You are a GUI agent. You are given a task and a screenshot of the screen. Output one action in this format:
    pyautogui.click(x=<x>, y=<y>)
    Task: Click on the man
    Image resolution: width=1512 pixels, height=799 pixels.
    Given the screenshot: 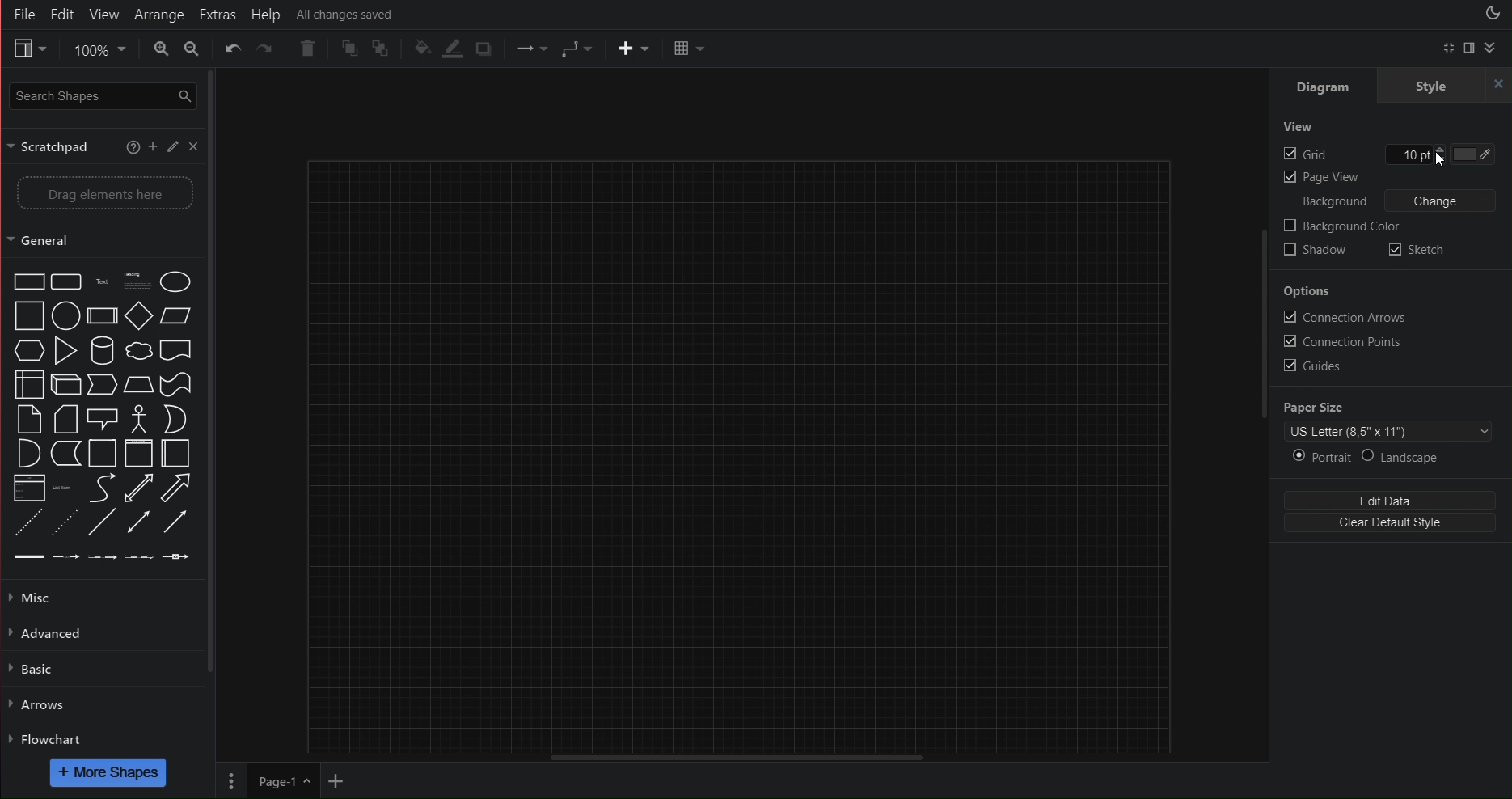 What is the action you would take?
    pyautogui.click(x=137, y=414)
    